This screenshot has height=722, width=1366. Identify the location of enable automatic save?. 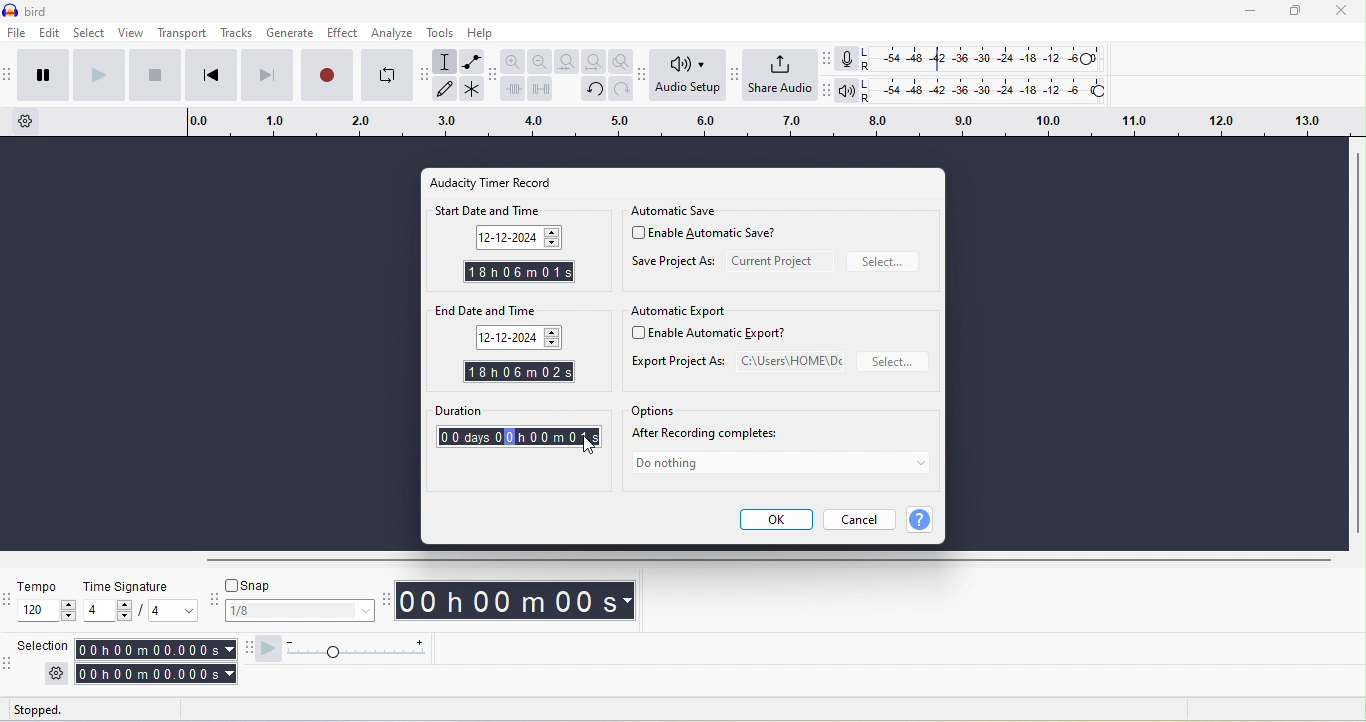
(712, 236).